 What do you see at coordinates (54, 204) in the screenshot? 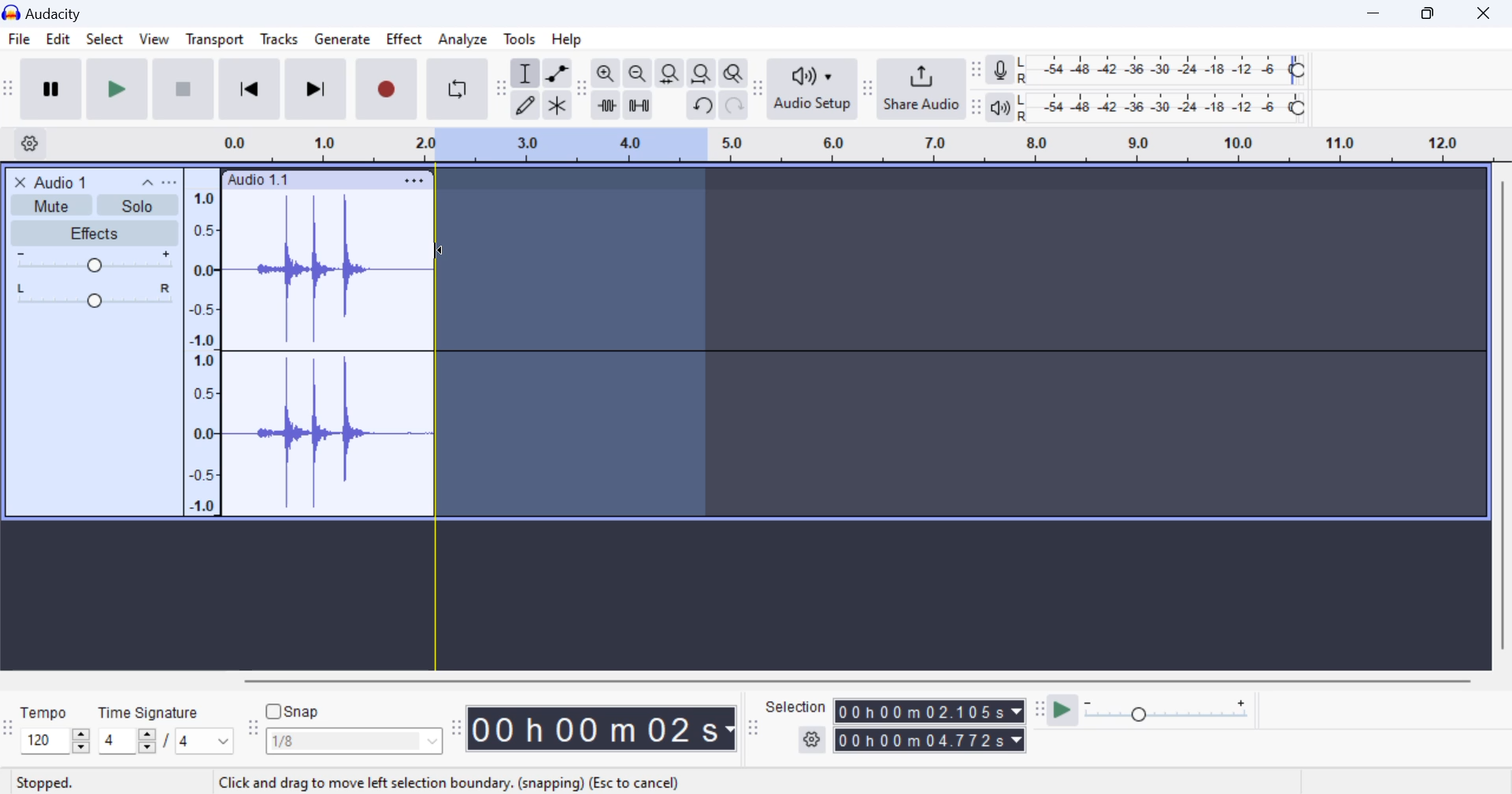
I see `Mute` at bounding box center [54, 204].